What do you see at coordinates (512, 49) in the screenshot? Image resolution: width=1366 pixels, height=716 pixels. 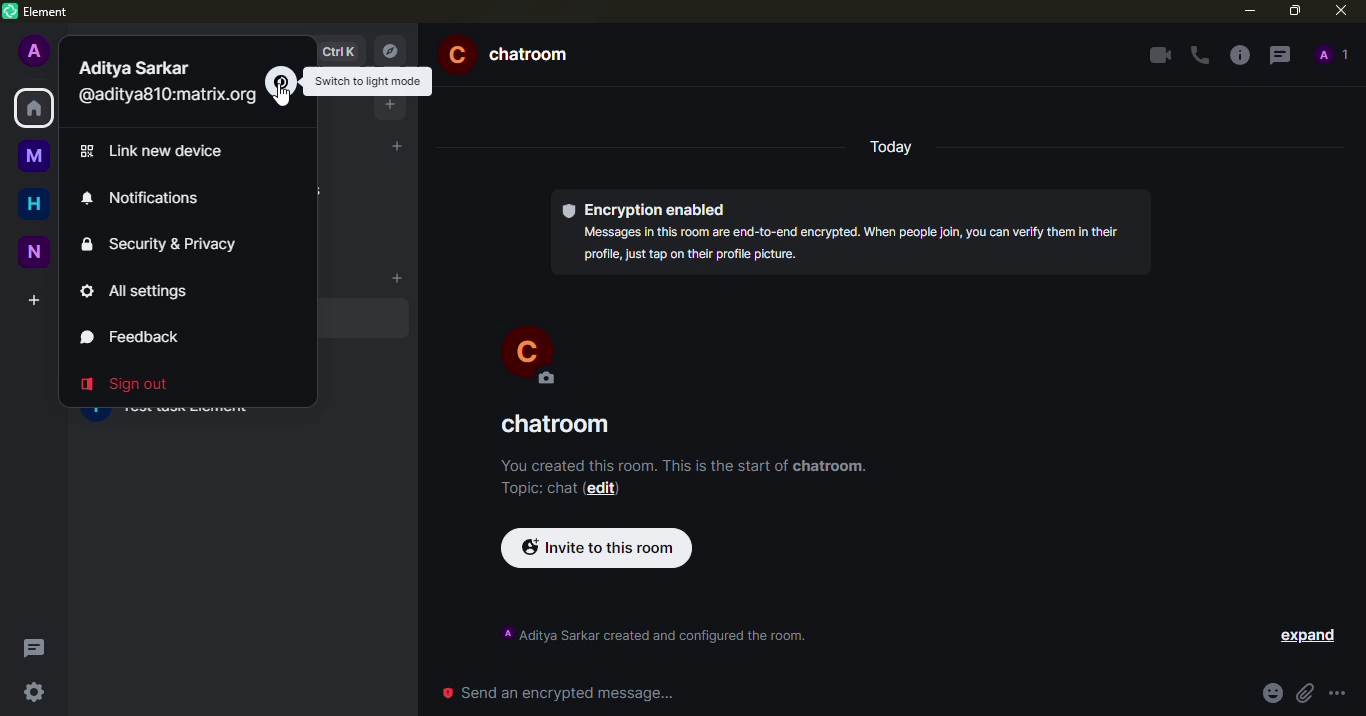 I see `chatroom` at bounding box center [512, 49].